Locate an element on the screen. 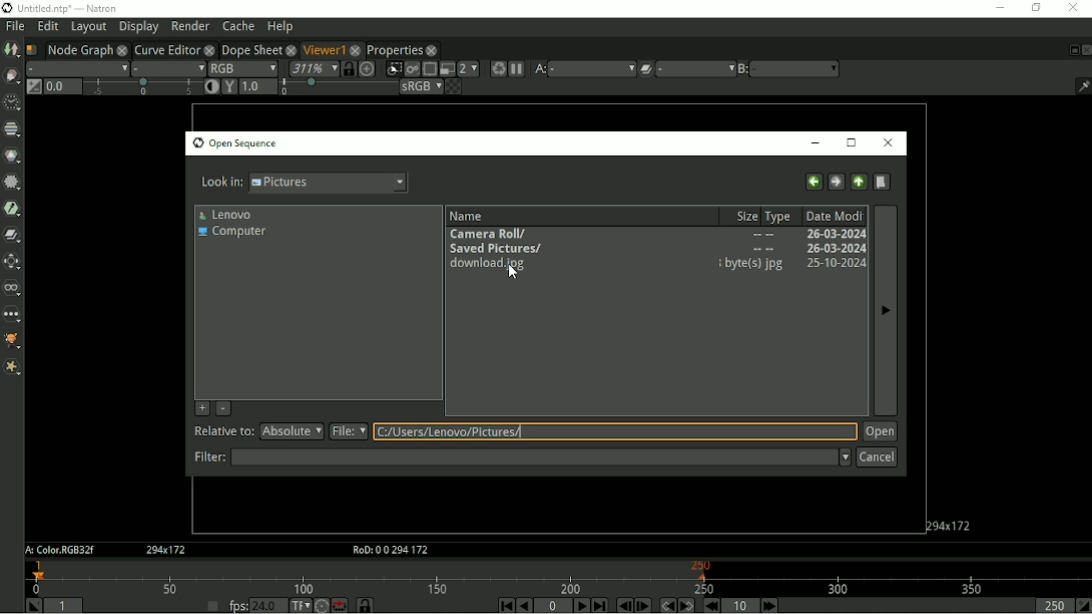 This screenshot has height=614, width=1092. Channel is located at coordinates (12, 129).